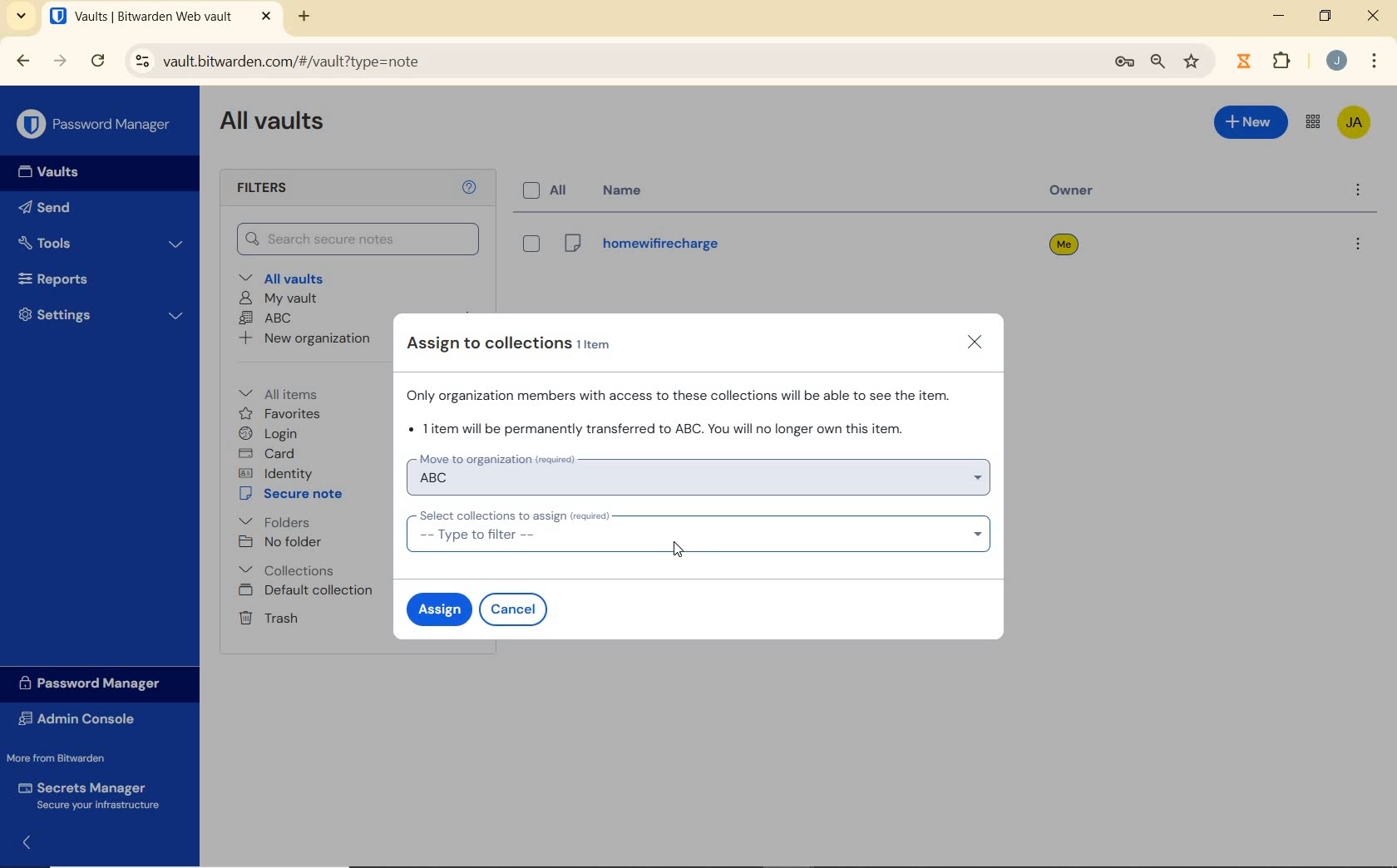 The image size is (1397, 868). I want to click on owner, so click(1077, 192).